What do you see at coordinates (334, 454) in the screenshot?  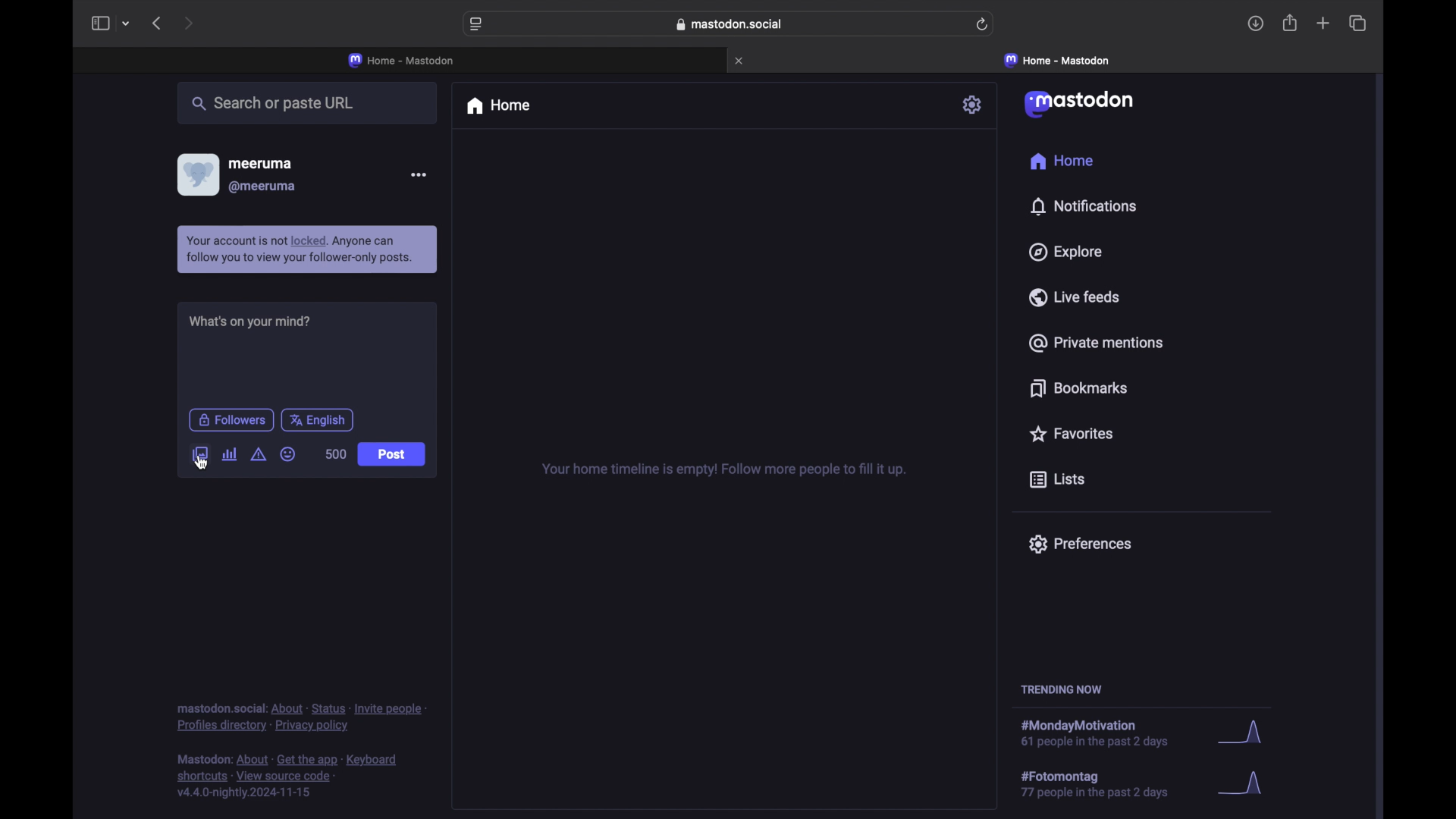 I see `word  count` at bounding box center [334, 454].